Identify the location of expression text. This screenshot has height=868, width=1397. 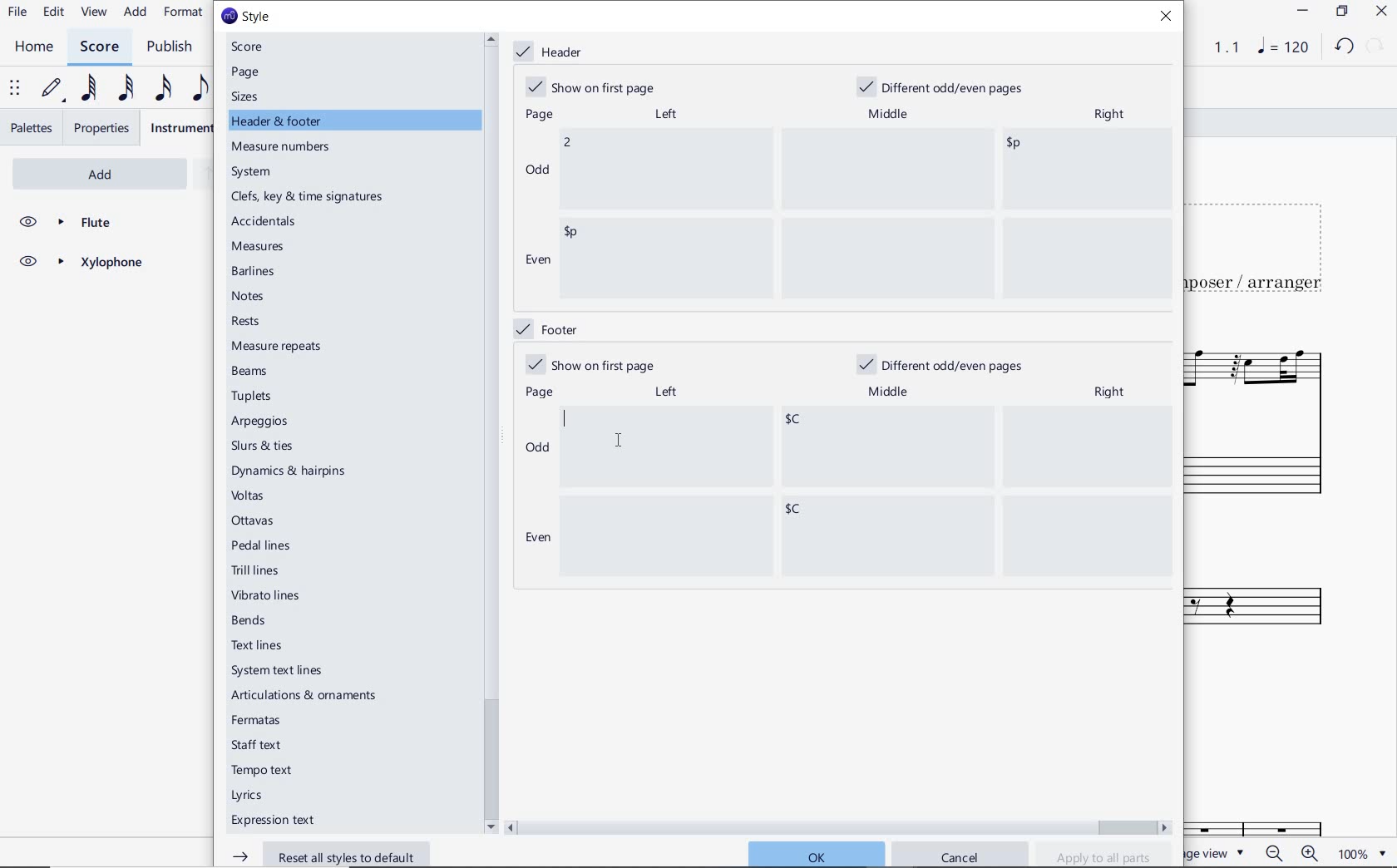
(275, 821).